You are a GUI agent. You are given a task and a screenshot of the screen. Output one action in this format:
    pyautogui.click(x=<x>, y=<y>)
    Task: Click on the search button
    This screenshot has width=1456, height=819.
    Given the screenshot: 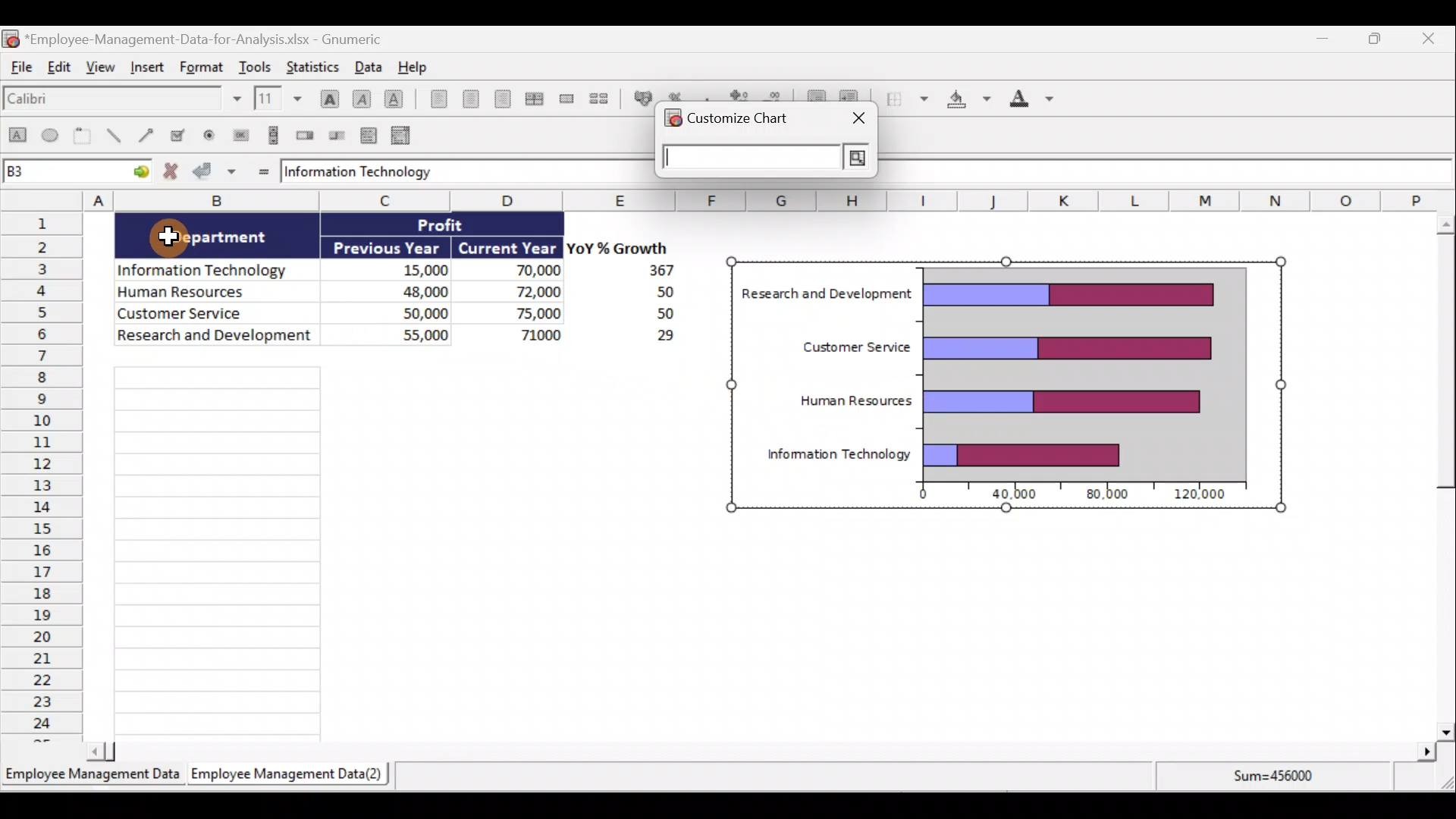 What is the action you would take?
    pyautogui.click(x=857, y=158)
    